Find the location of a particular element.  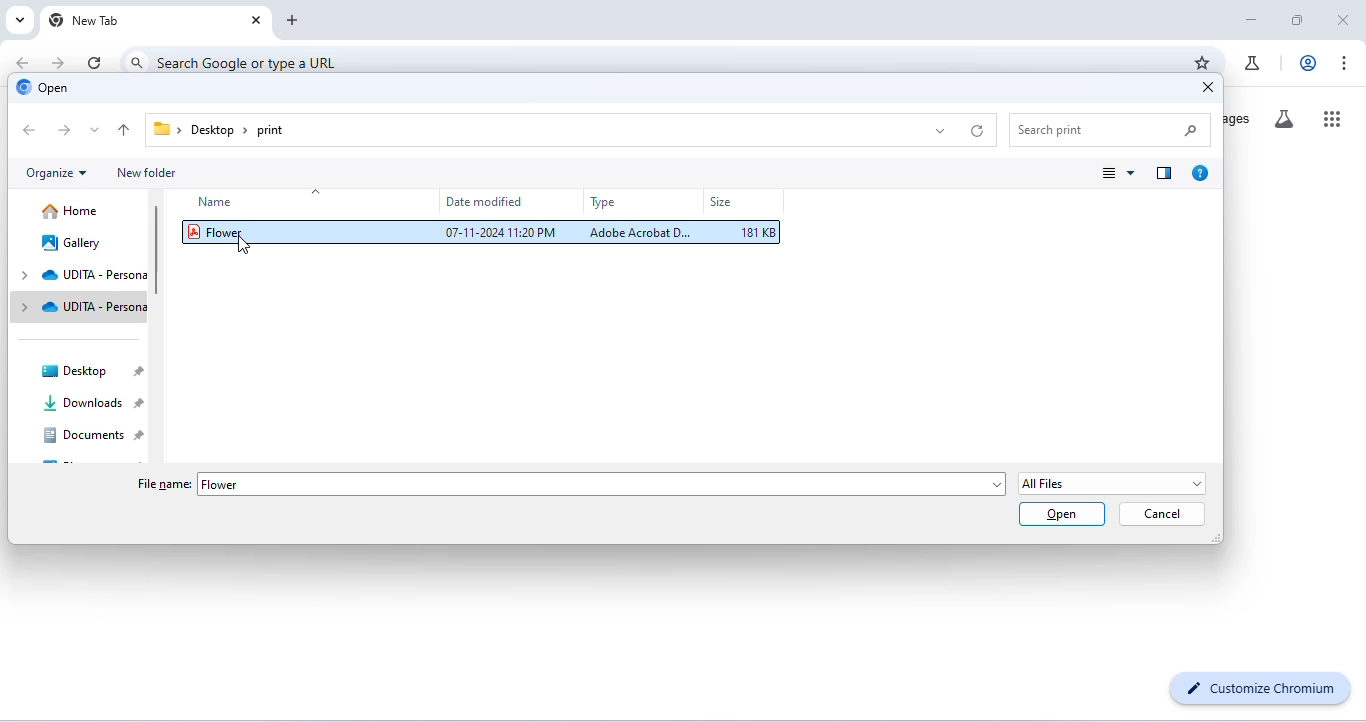

account is located at coordinates (1307, 63).